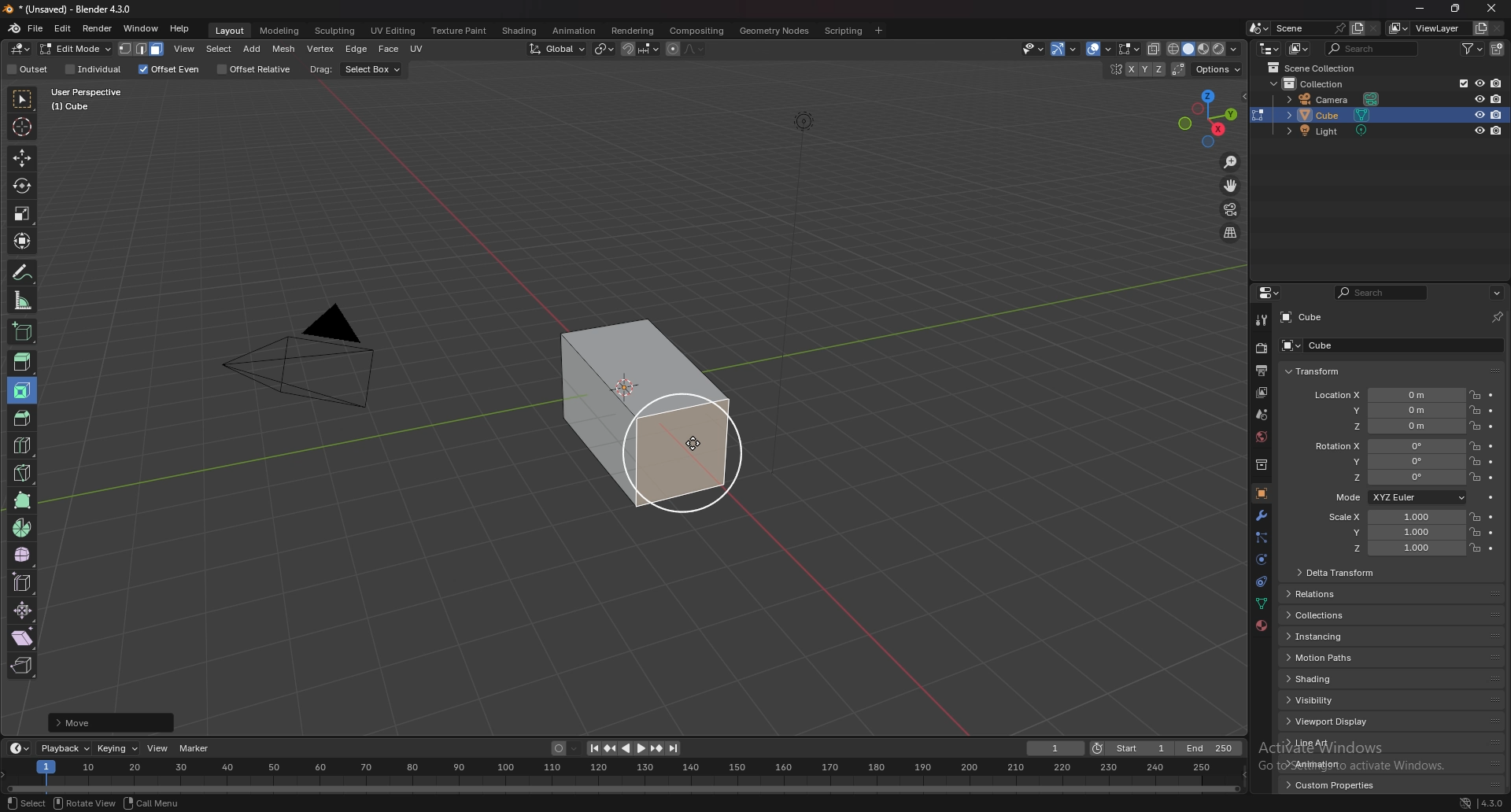 The height and width of the screenshot is (812, 1511). Describe the element at coordinates (1395, 548) in the screenshot. I see `scale z` at that location.